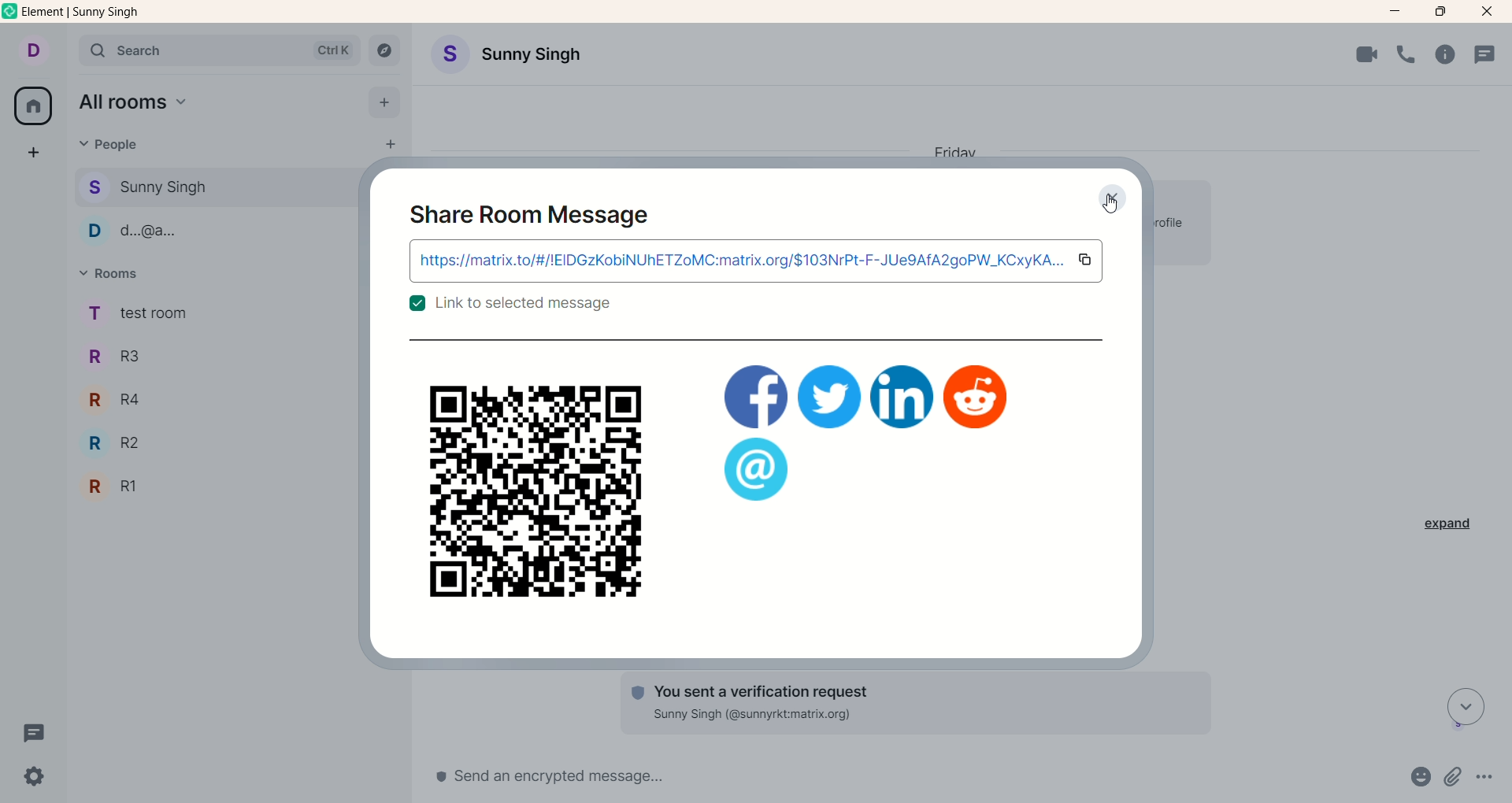 Image resolution: width=1512 pixels, height=803 pixels. What do you see at coordinates (146, 105) in the screenshot?
I see `all rooms` at bounding box center [146, 105].